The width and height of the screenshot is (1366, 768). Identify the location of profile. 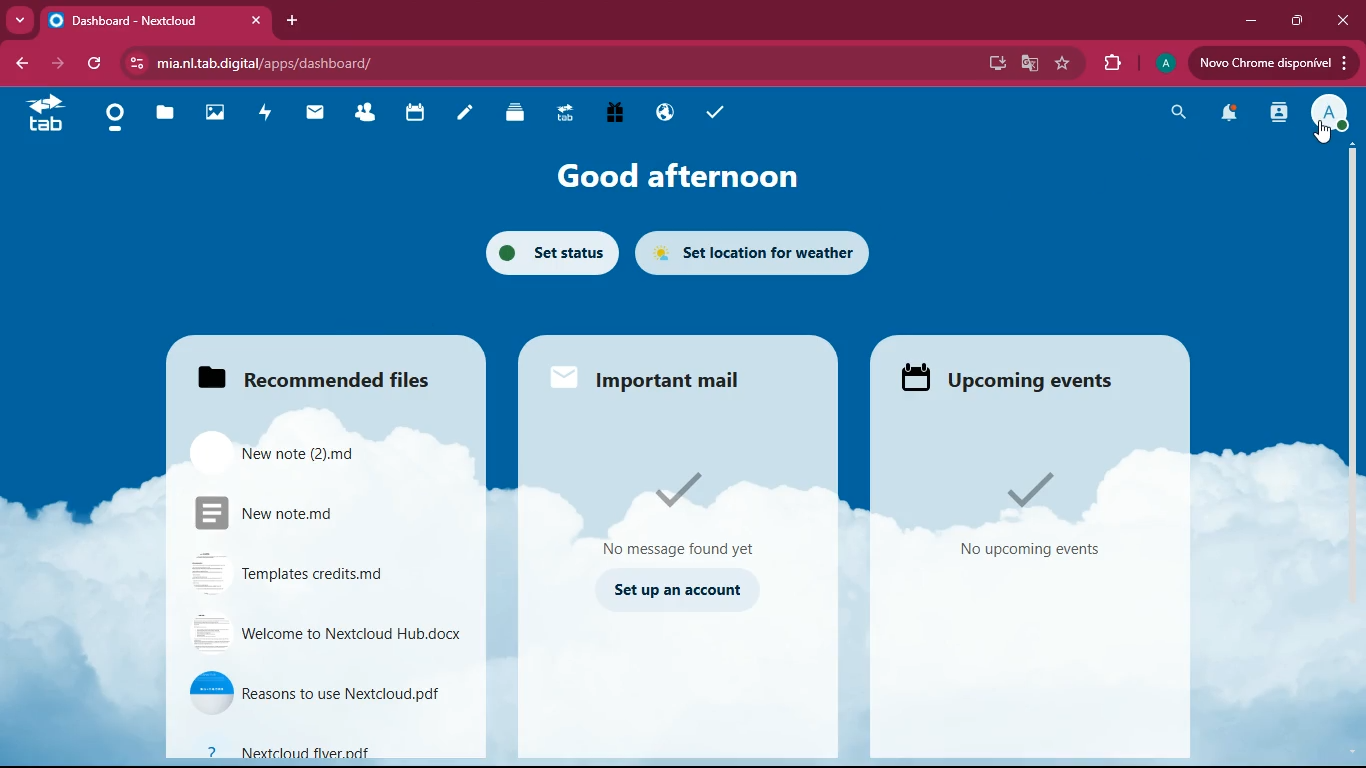
(1163, 66).